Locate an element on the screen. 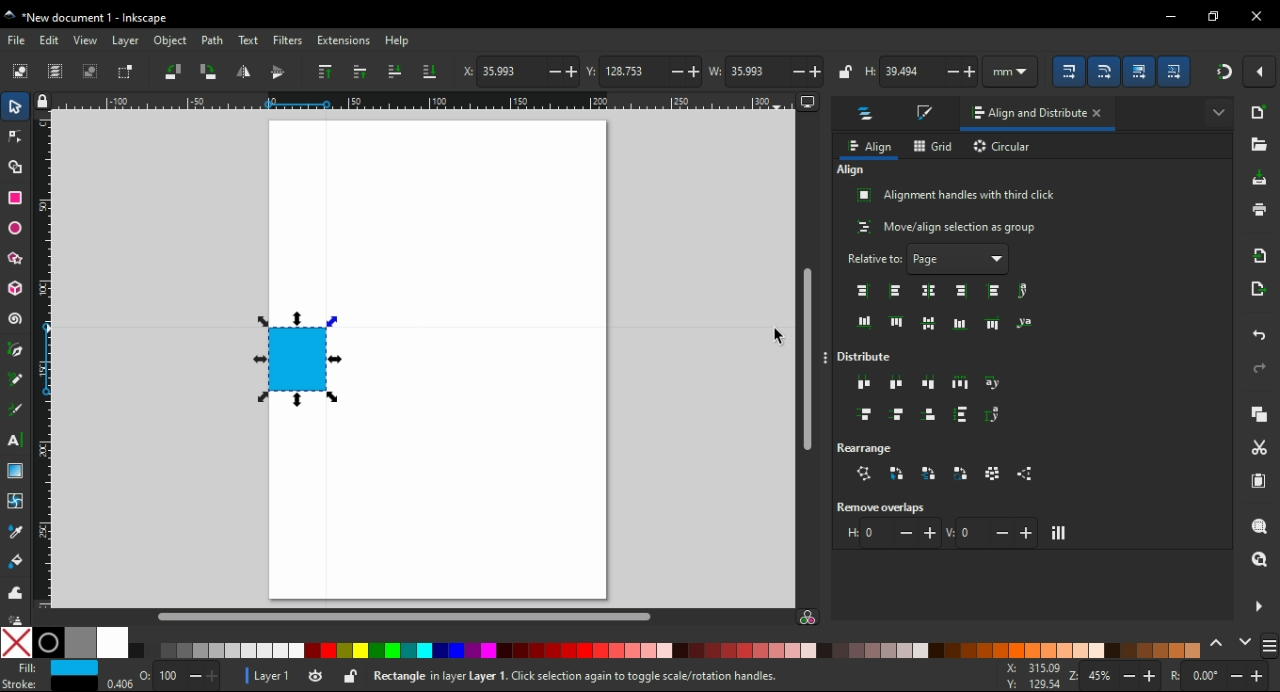  cursor co-ordinates is located at coordinates (1029, 676).